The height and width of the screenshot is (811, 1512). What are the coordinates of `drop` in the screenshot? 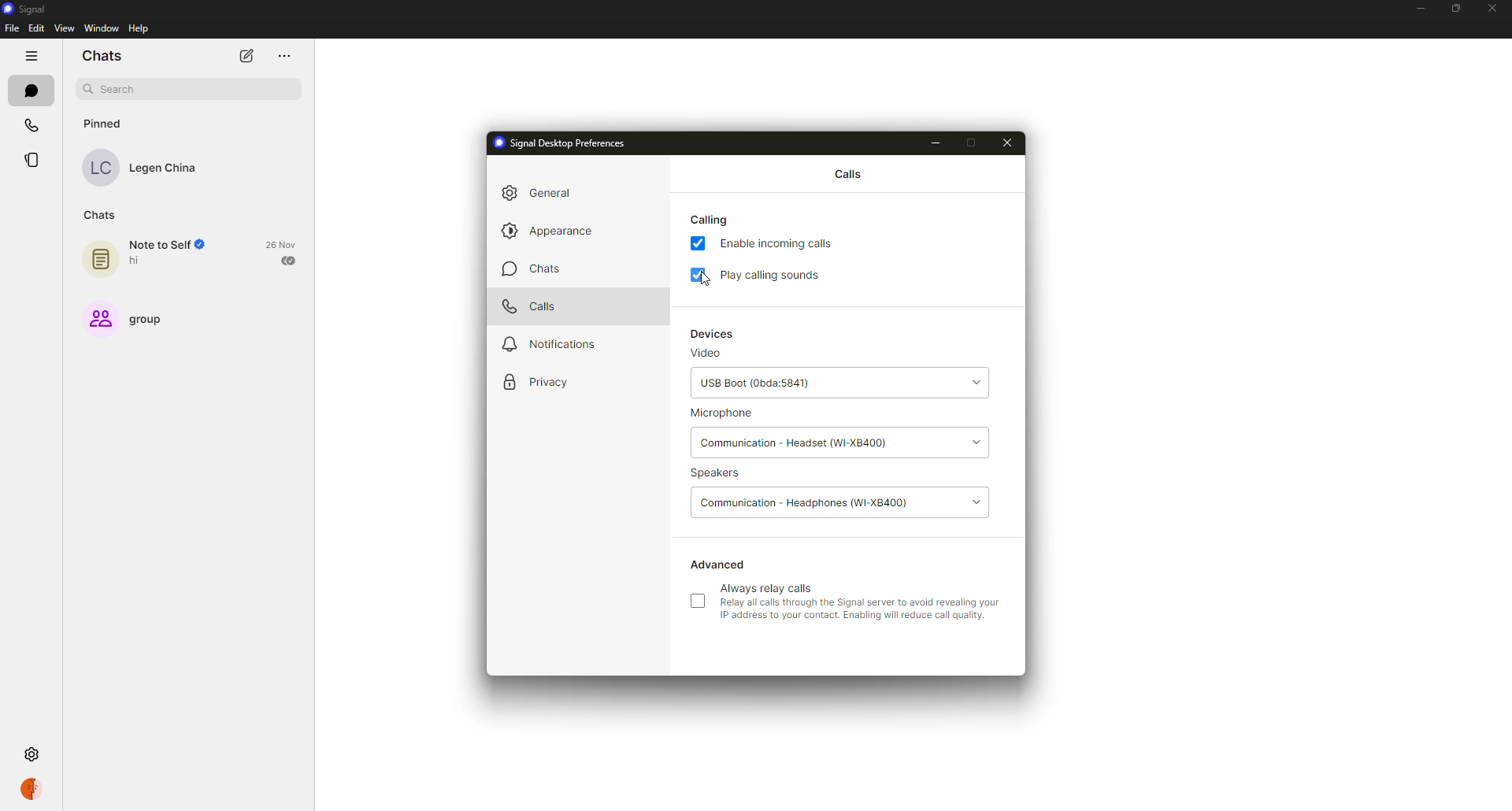 It's located at (980, 438).